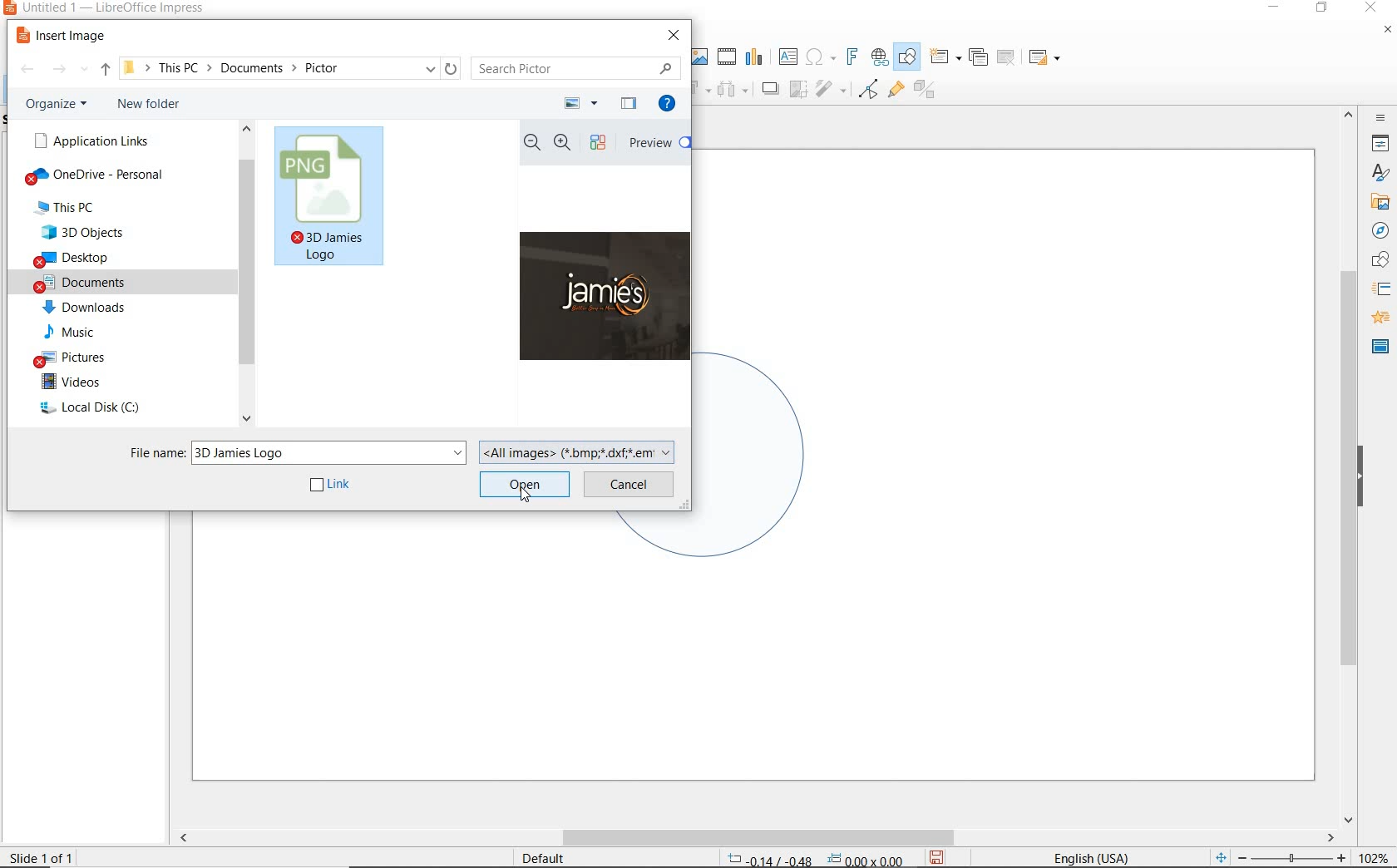 The width and height of the screenshot is (1397, 868). What do you see at coordinates (77, 356) in the screenshot?
I see `pictures` at bounding box center [77, 356].